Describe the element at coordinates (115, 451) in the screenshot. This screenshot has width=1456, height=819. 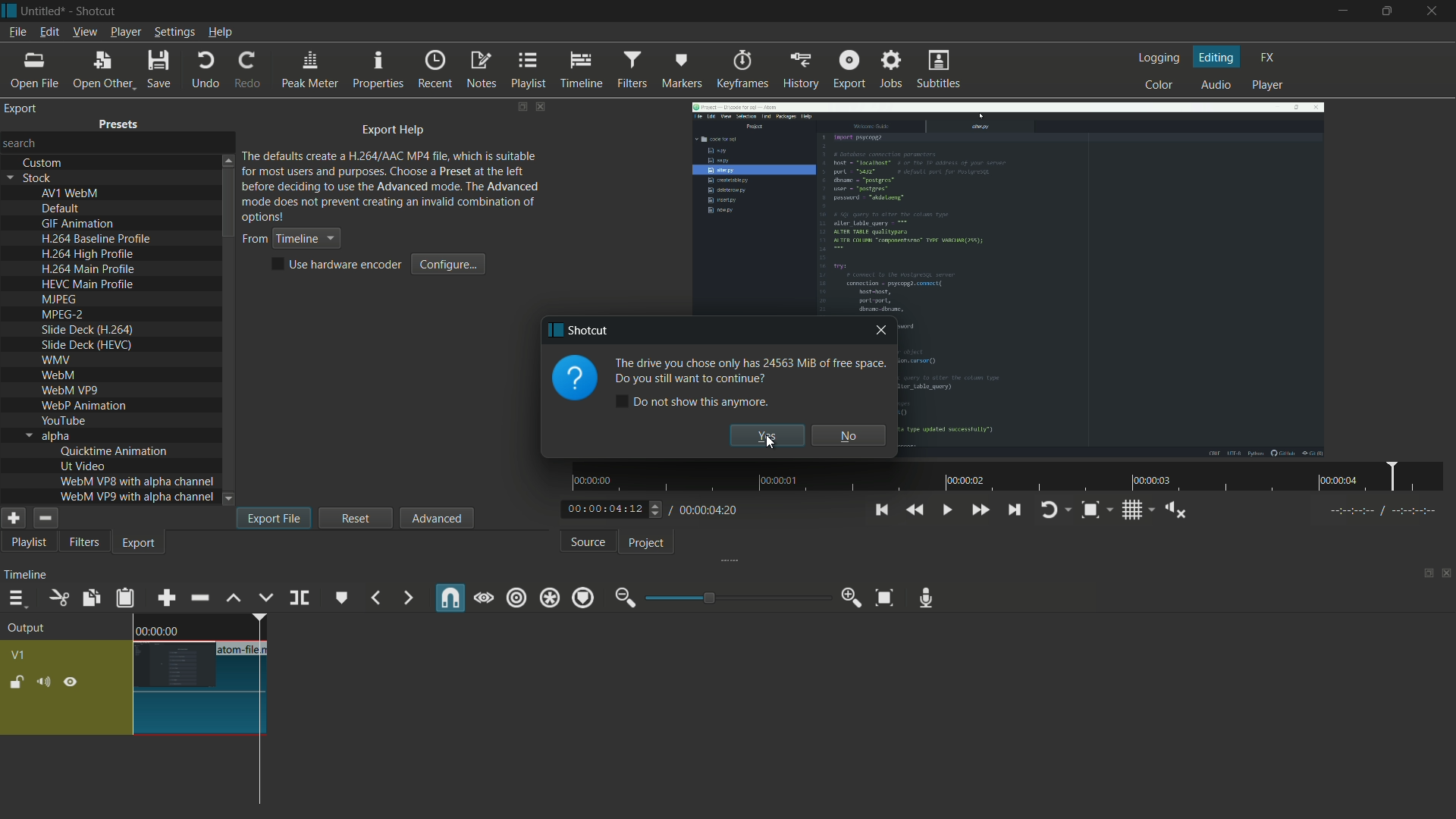
I see `quicktime animation` at that location.